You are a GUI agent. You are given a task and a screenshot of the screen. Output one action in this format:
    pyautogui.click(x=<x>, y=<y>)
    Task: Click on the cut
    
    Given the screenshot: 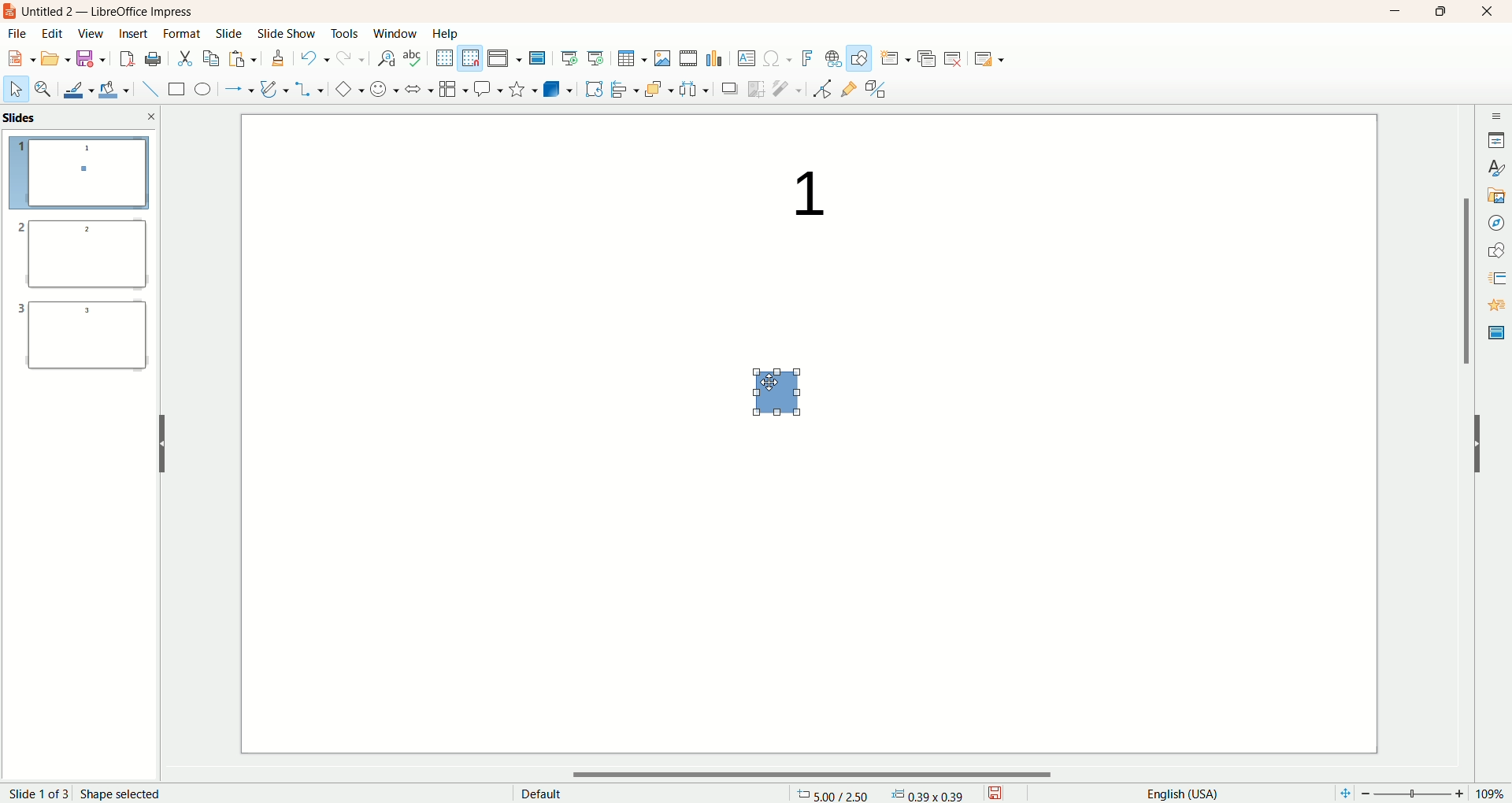 What is the action you would take?
    pyautogui.click(x=186, y=57)
    